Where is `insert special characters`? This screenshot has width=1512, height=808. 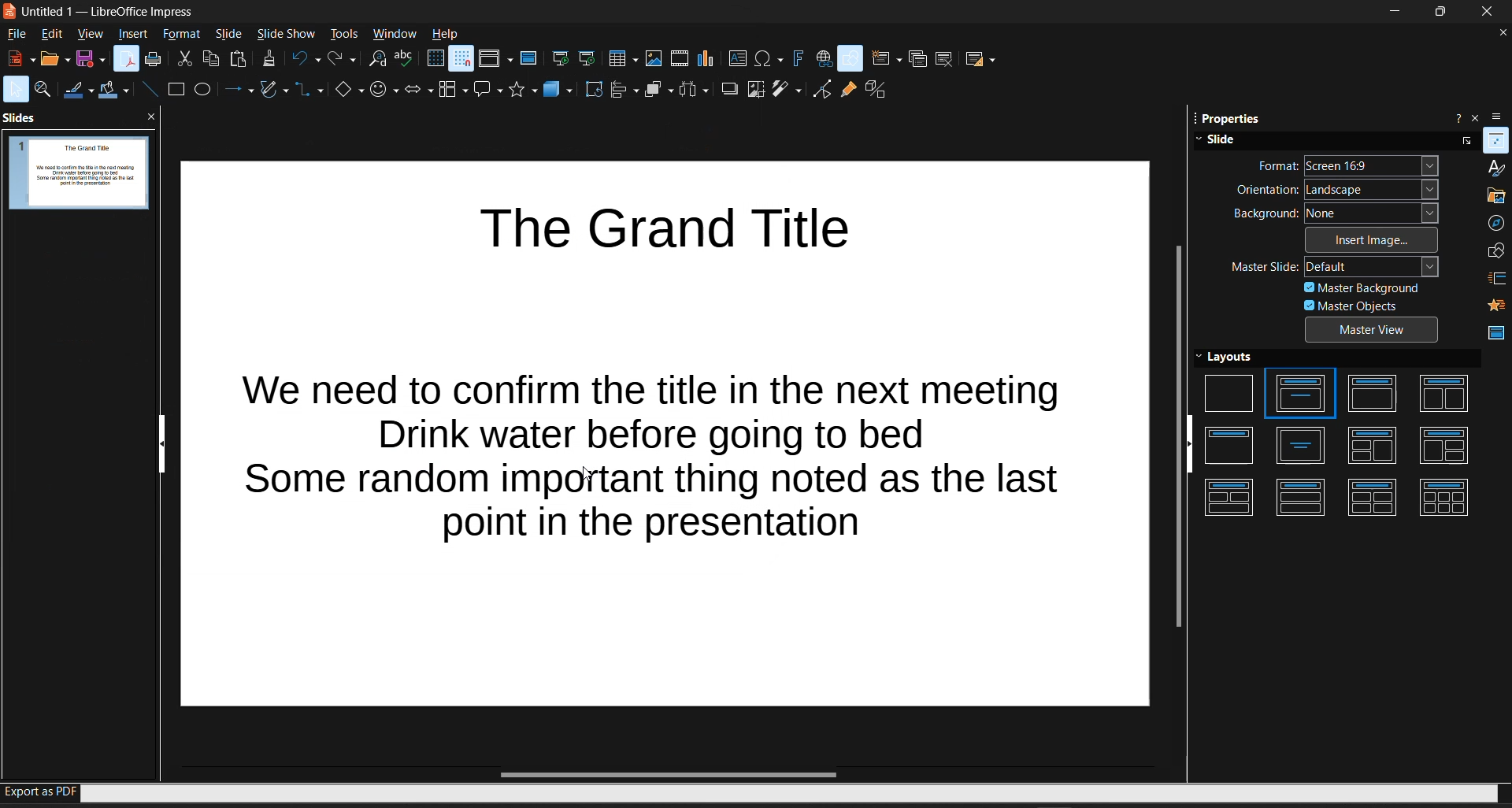 insert special characters is located at coordinates (769, 59).